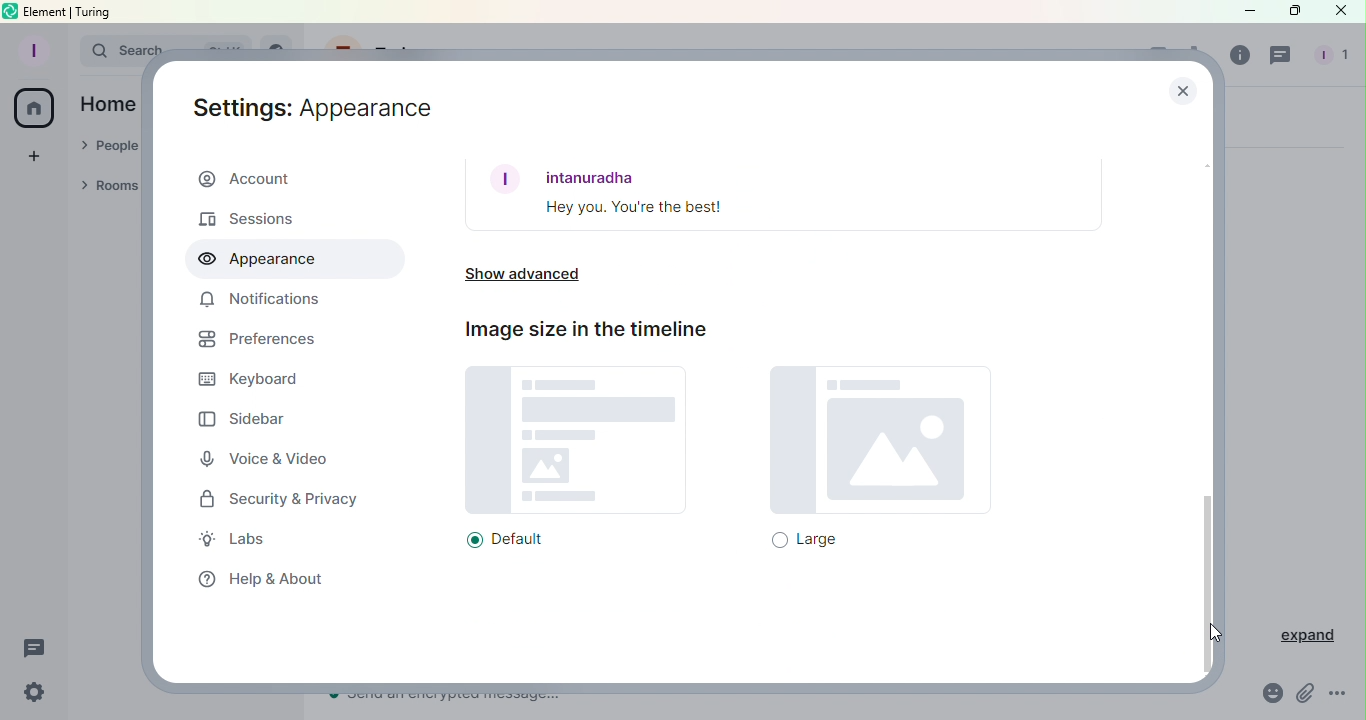 The height and width of the screenshot is (720, 1366). I want to click on Scroll bar, so click(1209, 406).